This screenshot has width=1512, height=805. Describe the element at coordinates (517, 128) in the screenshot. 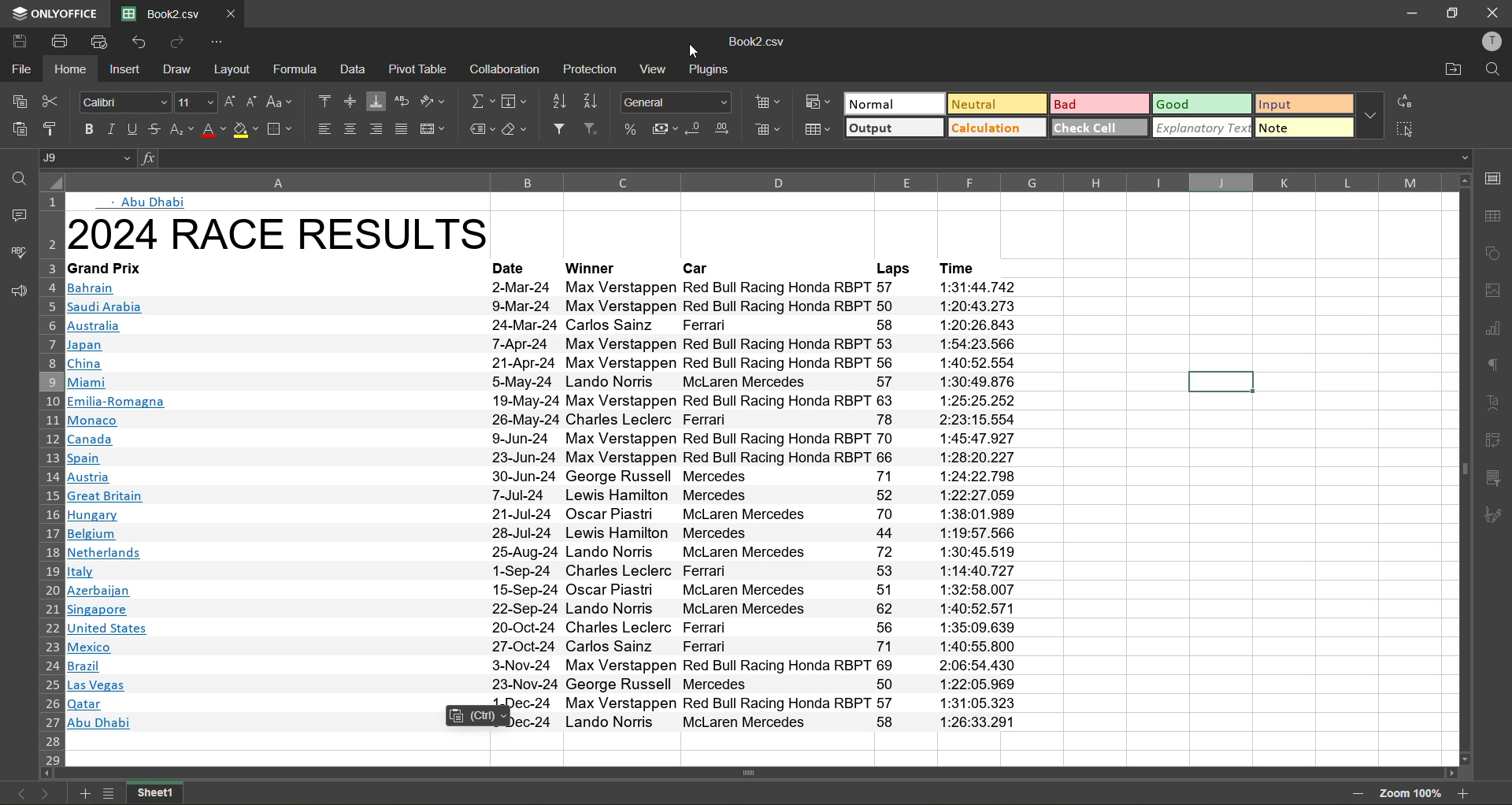

I see `clear` at that location.